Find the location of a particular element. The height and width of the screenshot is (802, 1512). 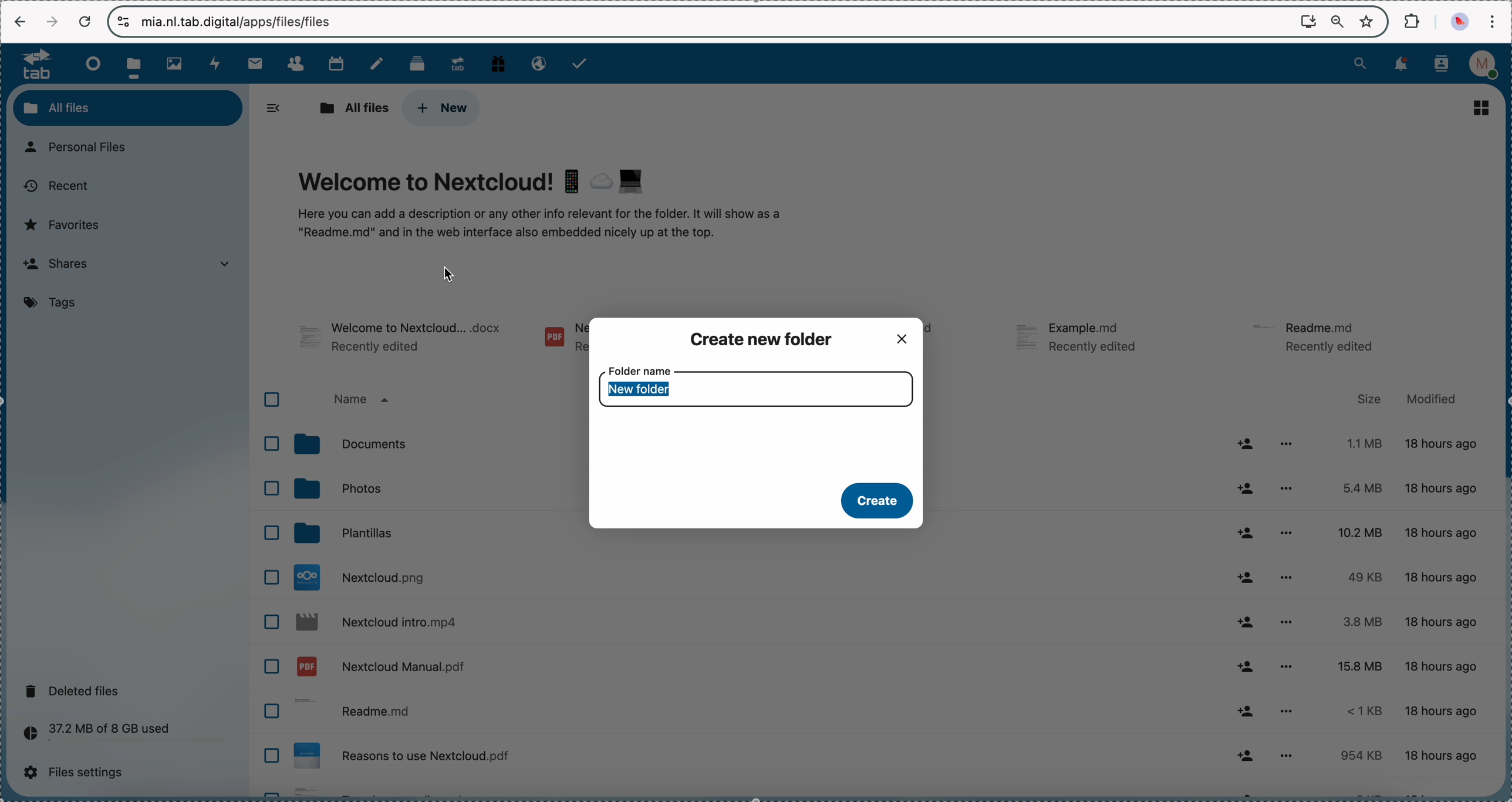

close pop-up is located at coordinates (902, 337).